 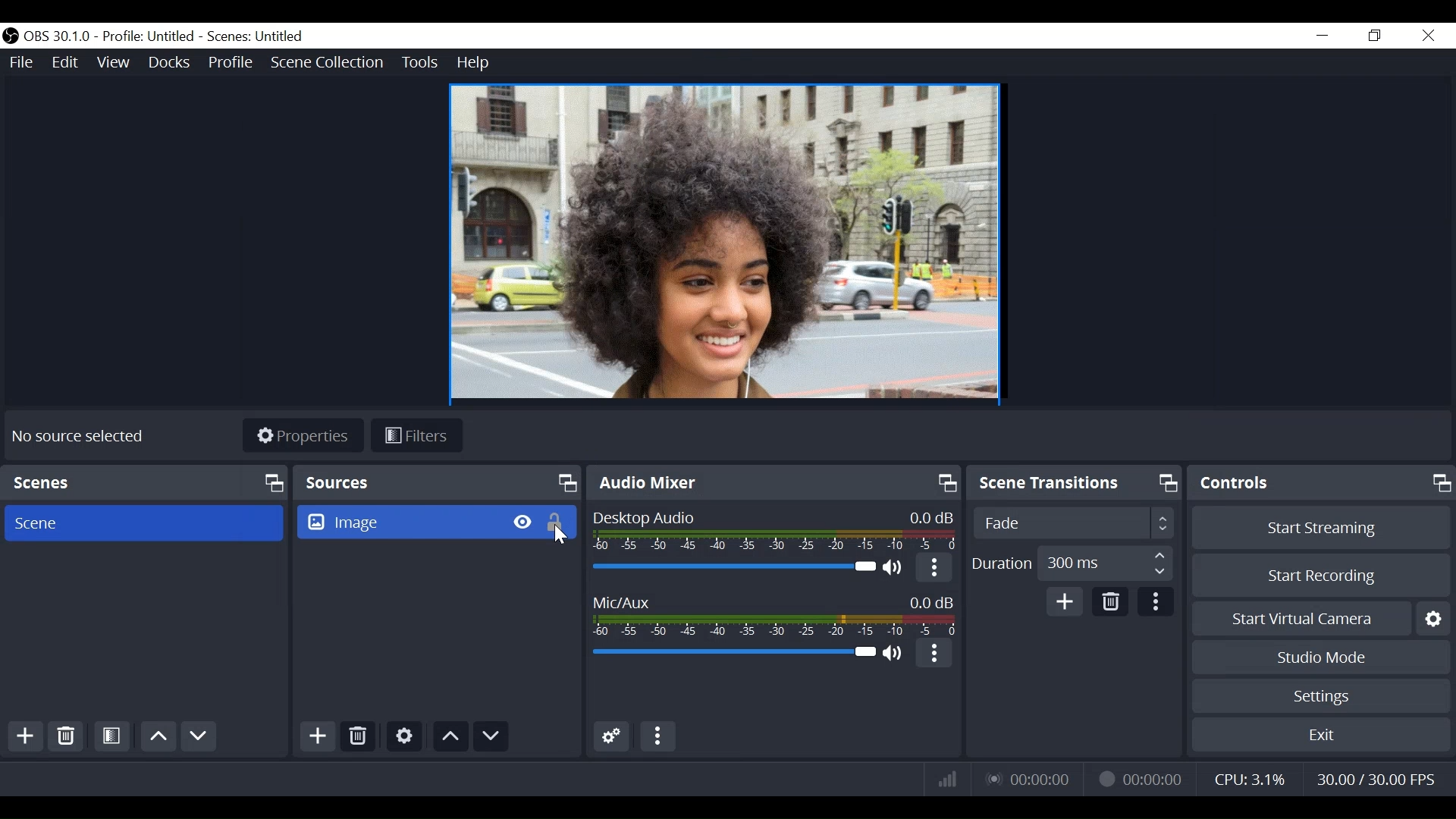 I want to click on Start Virtual Camera, so click(x=1299, y=618).